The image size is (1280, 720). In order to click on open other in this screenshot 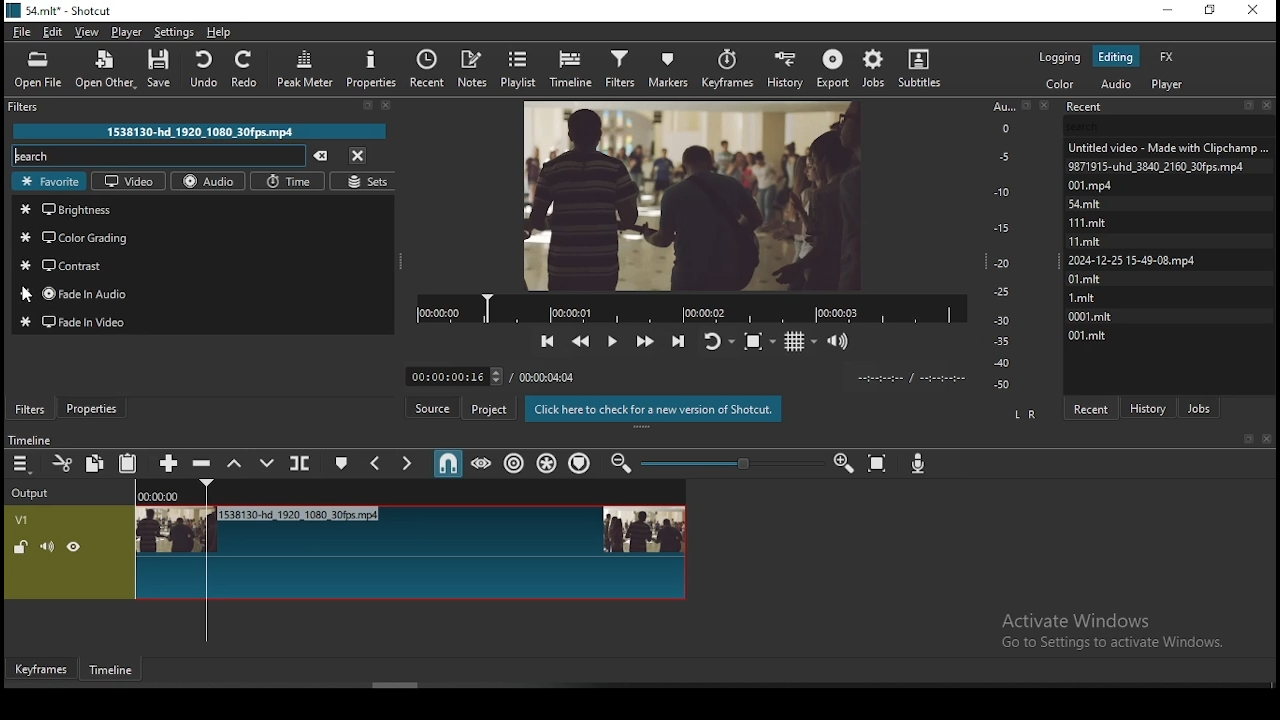, I will do `click(106, 69)`.